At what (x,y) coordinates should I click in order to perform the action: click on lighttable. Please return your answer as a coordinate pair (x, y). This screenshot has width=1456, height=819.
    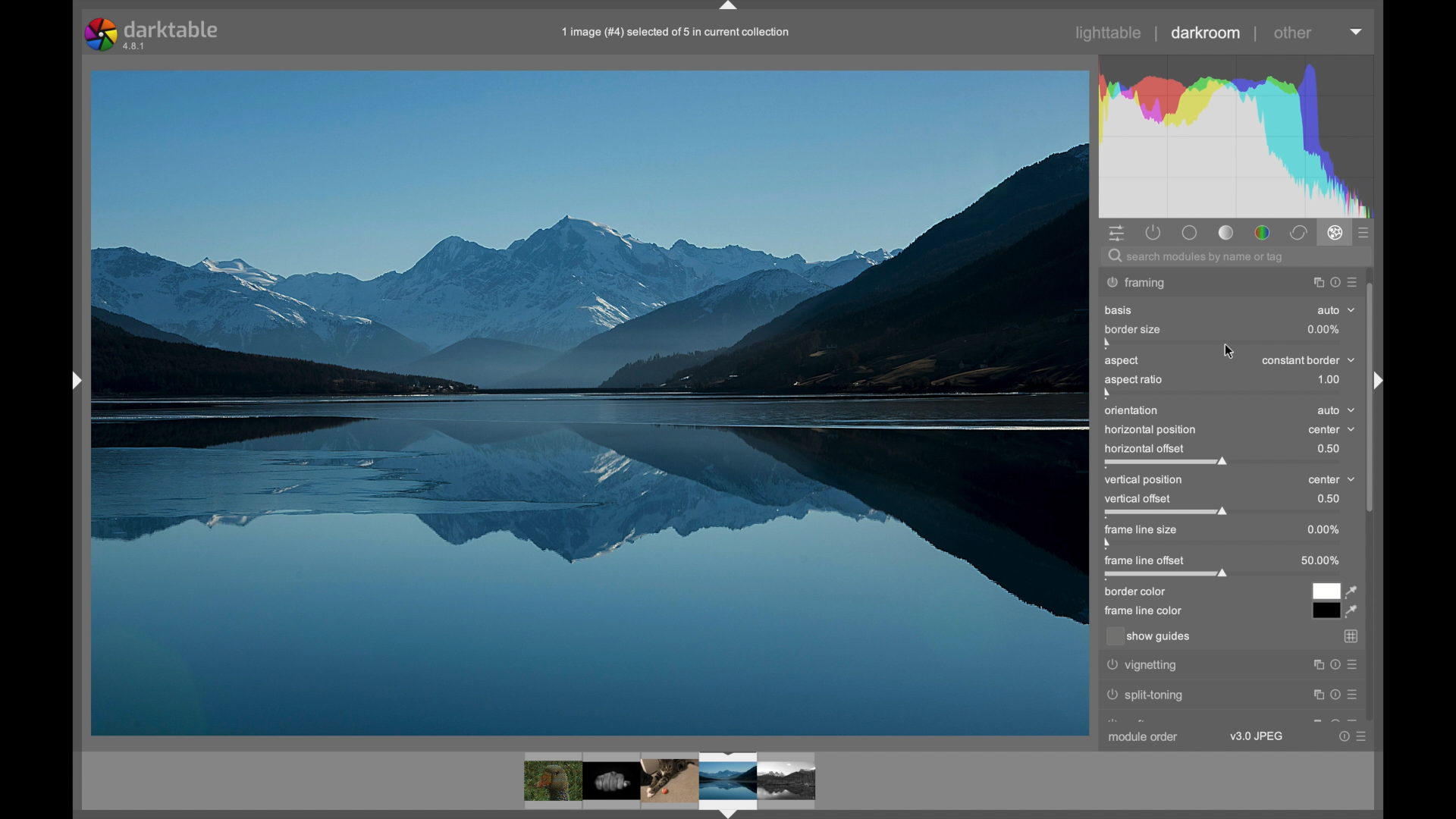
    Looking at the image, I should click on (1109, 34).